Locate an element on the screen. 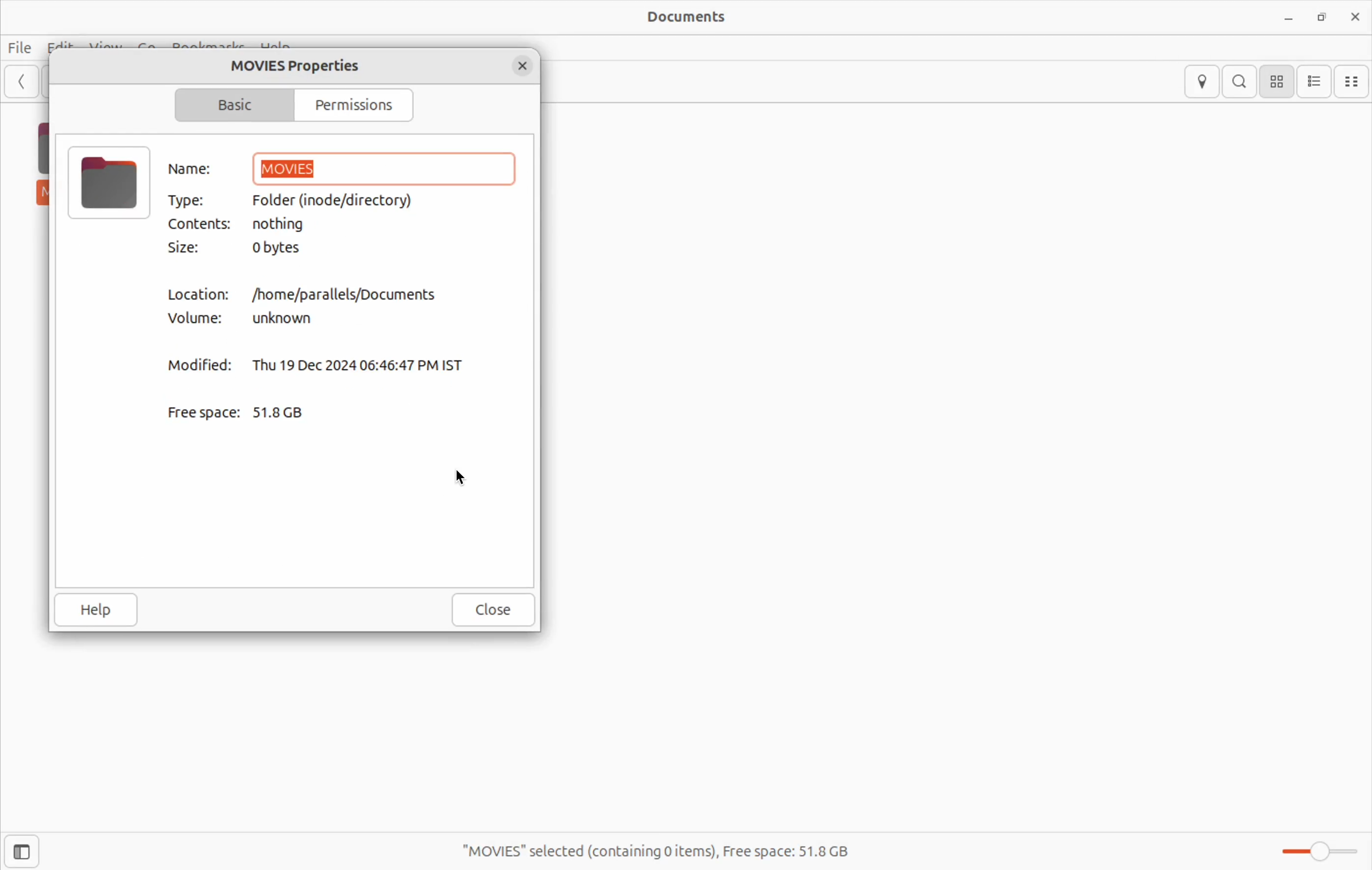  o bytes is located at coordinates (286, 248).